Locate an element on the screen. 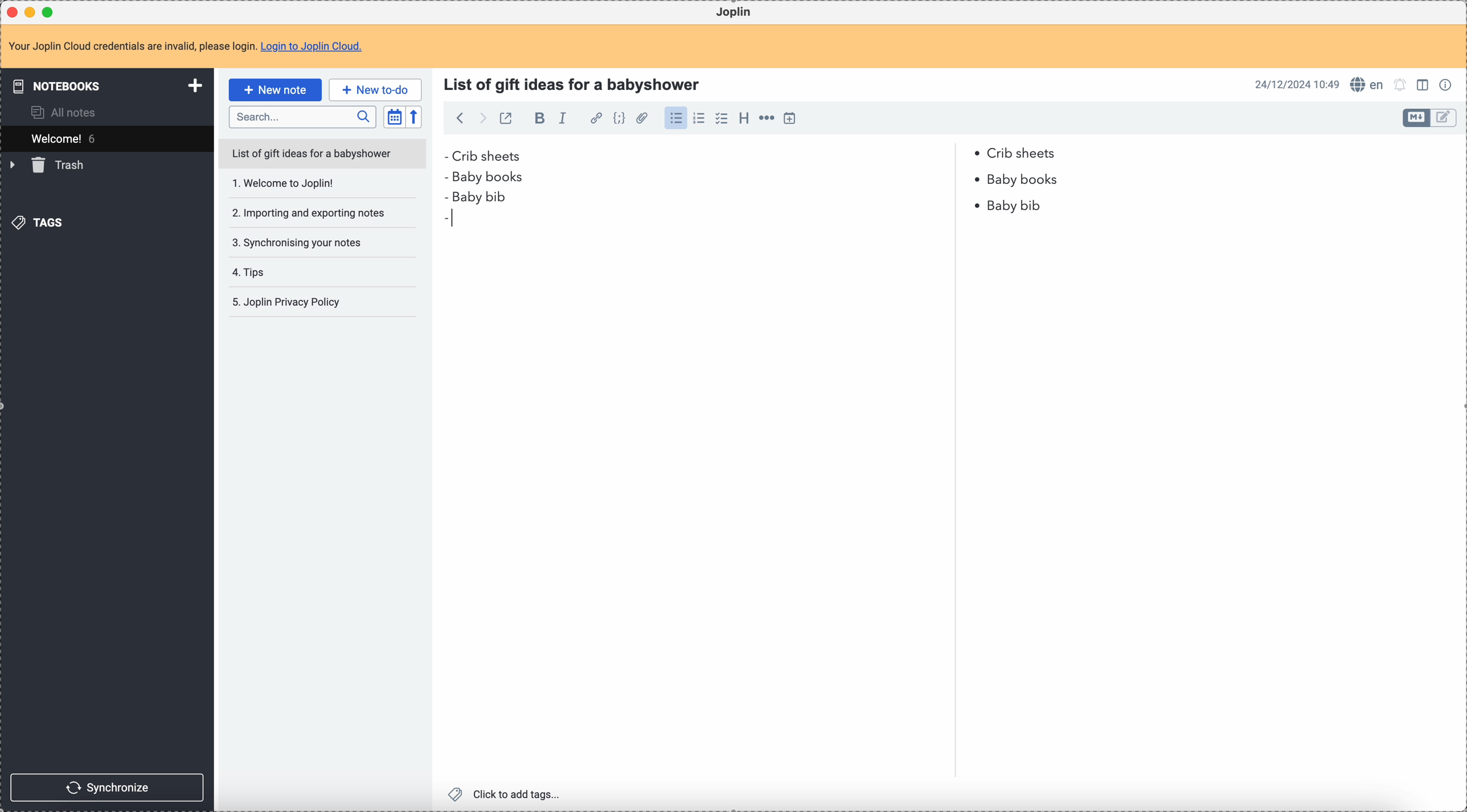  checklist is located at coordinates (722, 119).